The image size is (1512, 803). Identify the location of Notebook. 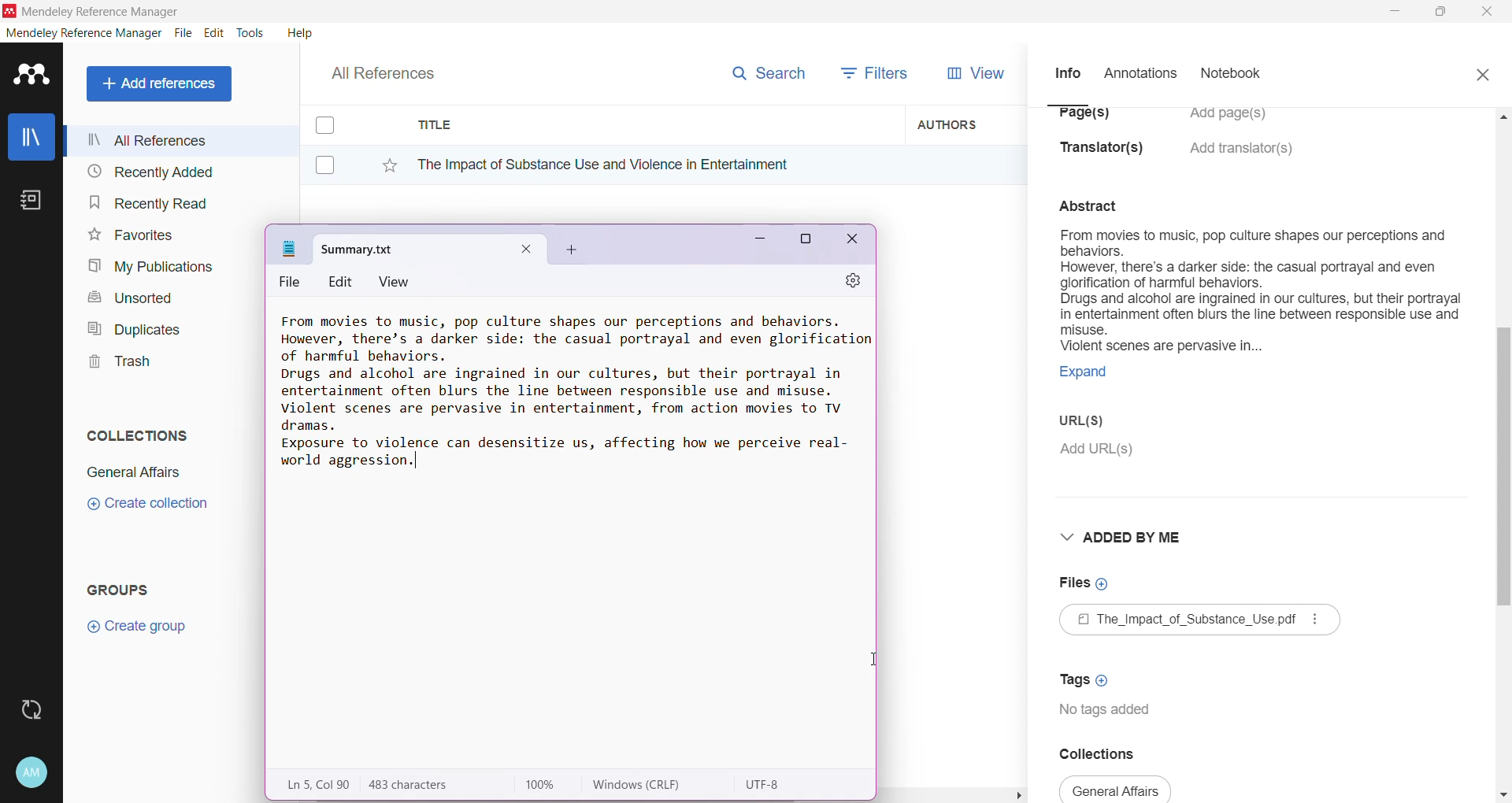
(1236, 75).